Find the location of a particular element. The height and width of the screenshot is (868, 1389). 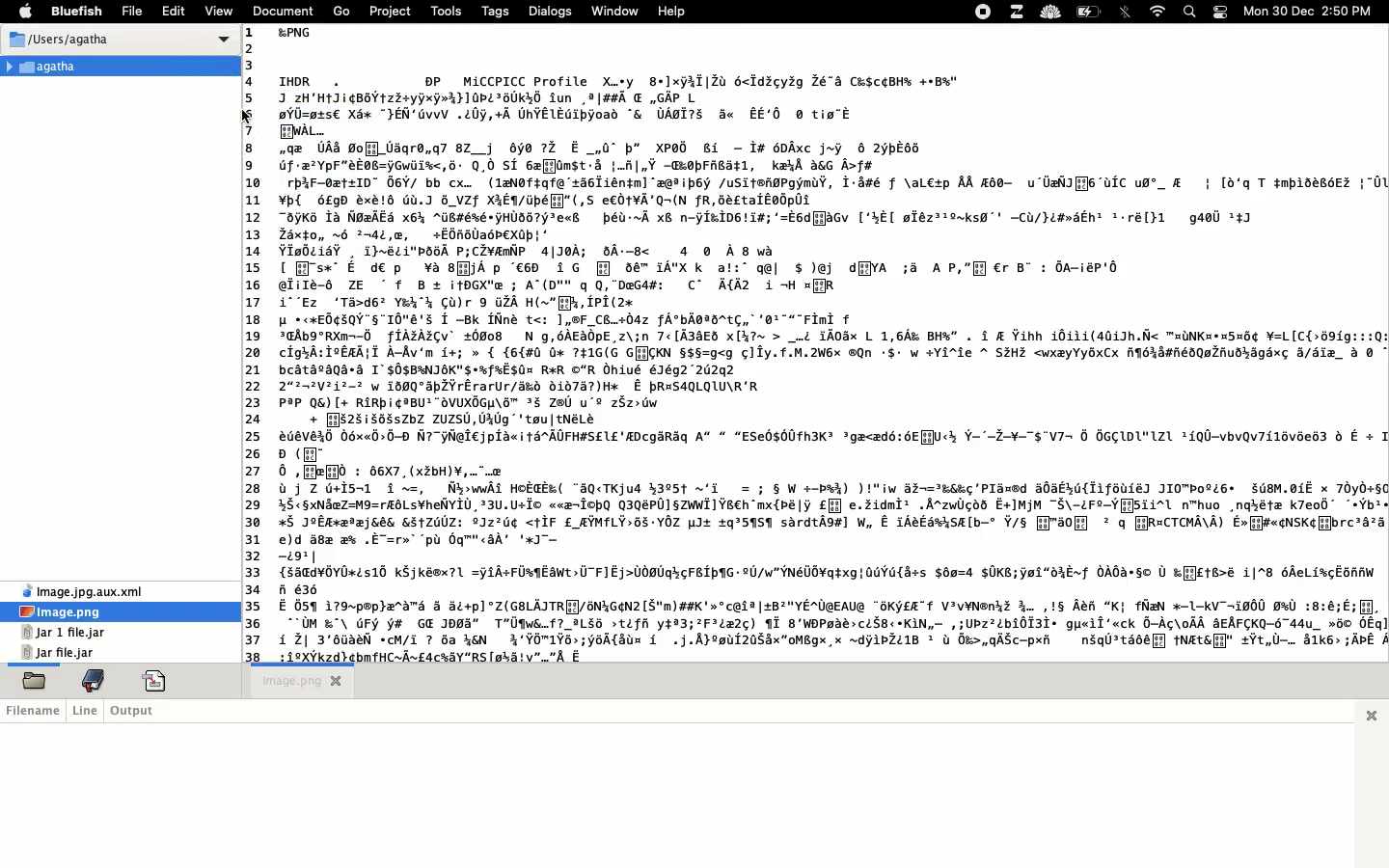

open is located at coordinates (35, 681).